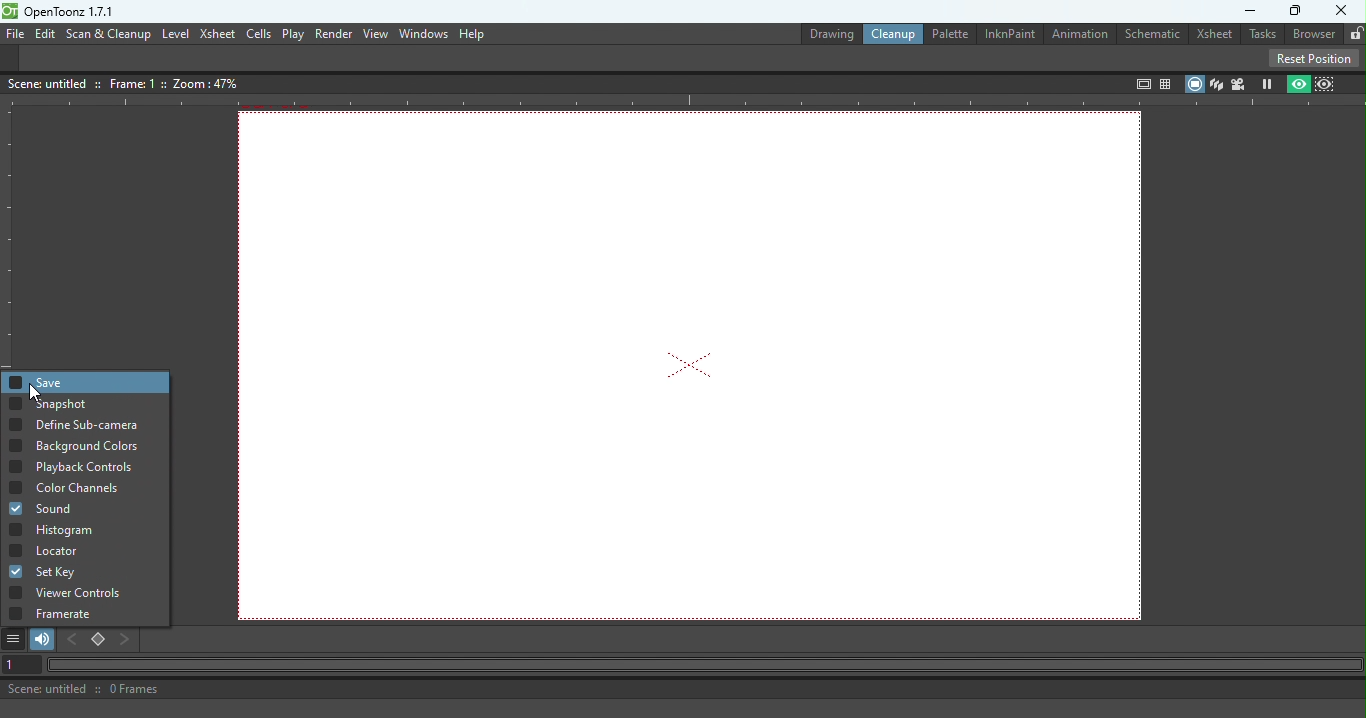 This screenshot has height=718, width=1366. What do you see at coordinates (76, 640) in the screenshot?
I see `Previous key` at bounding box center [76, 640].